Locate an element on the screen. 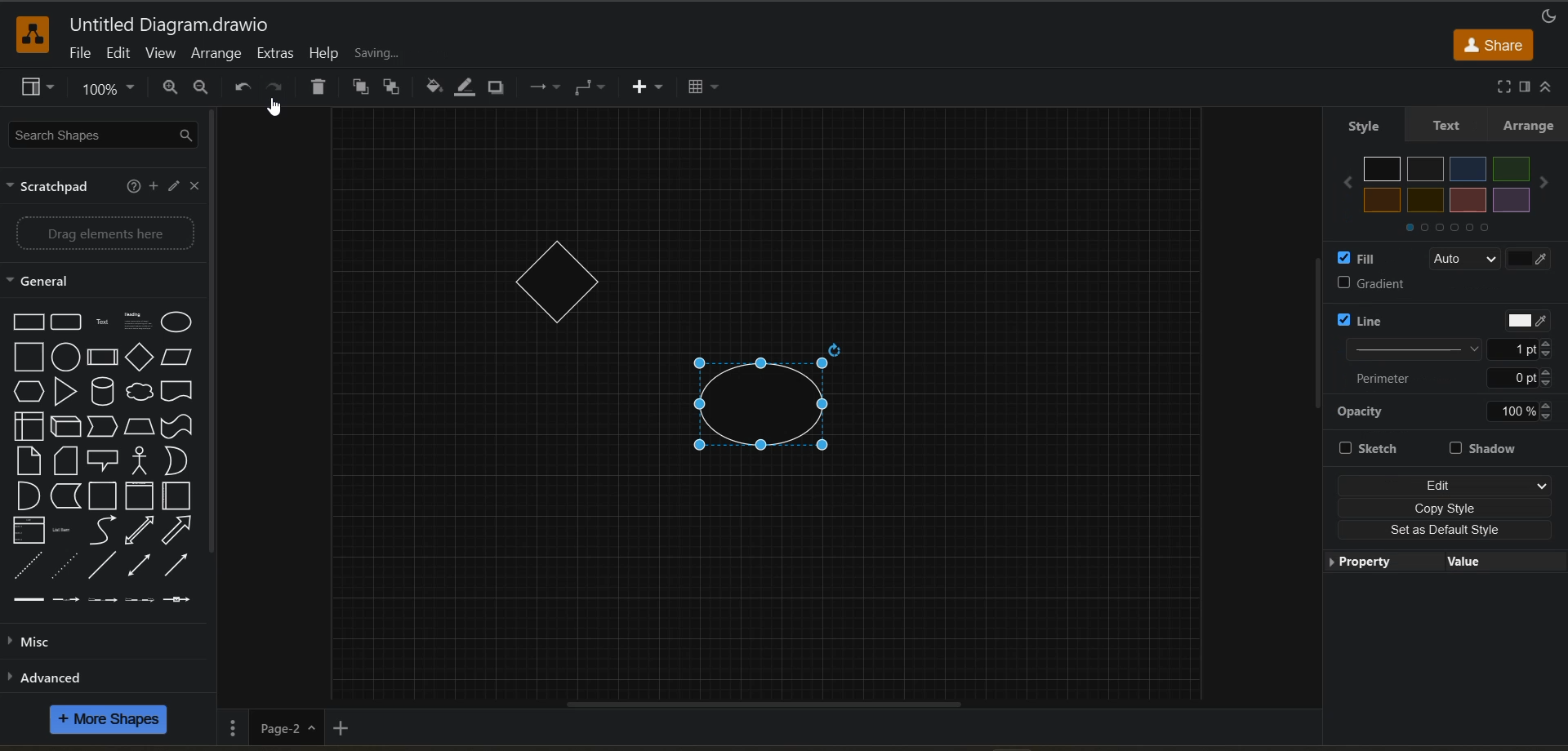 The width and height of the screenshot is (1568, 751). ellipse is located at coordinates (179, 323).